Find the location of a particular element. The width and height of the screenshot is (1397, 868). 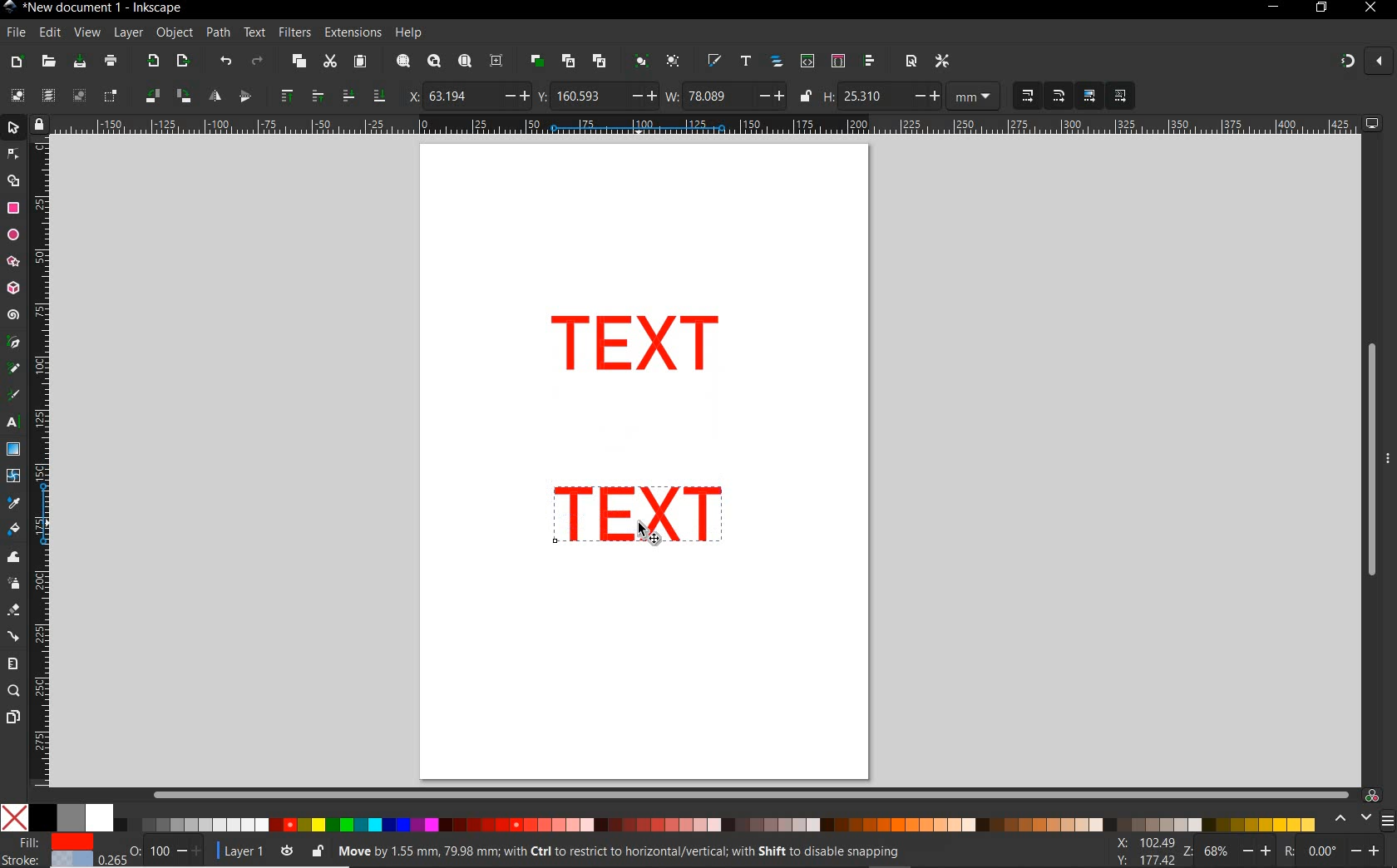

deselect is located at coordinates (77, 96).